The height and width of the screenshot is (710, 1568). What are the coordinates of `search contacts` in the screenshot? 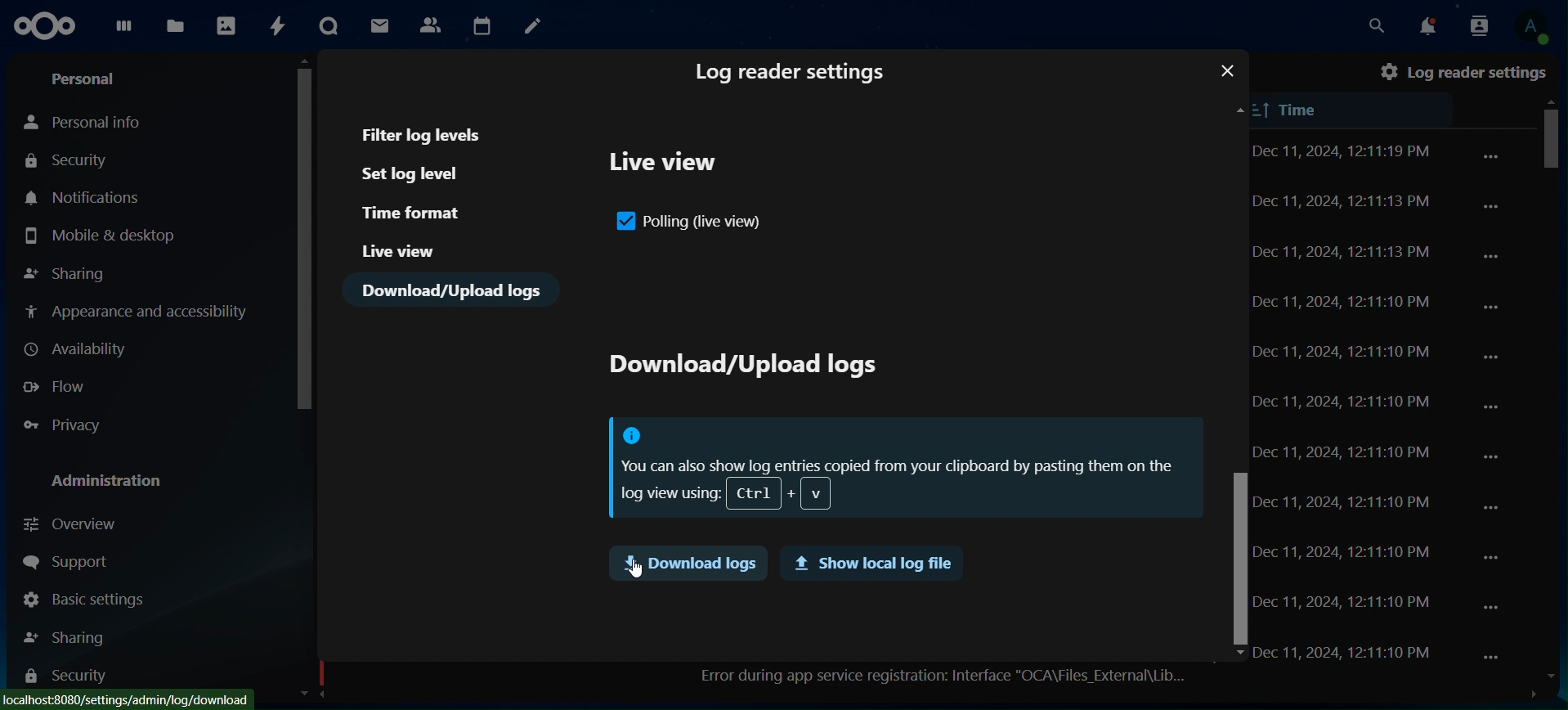 It's located at (1474, 25).